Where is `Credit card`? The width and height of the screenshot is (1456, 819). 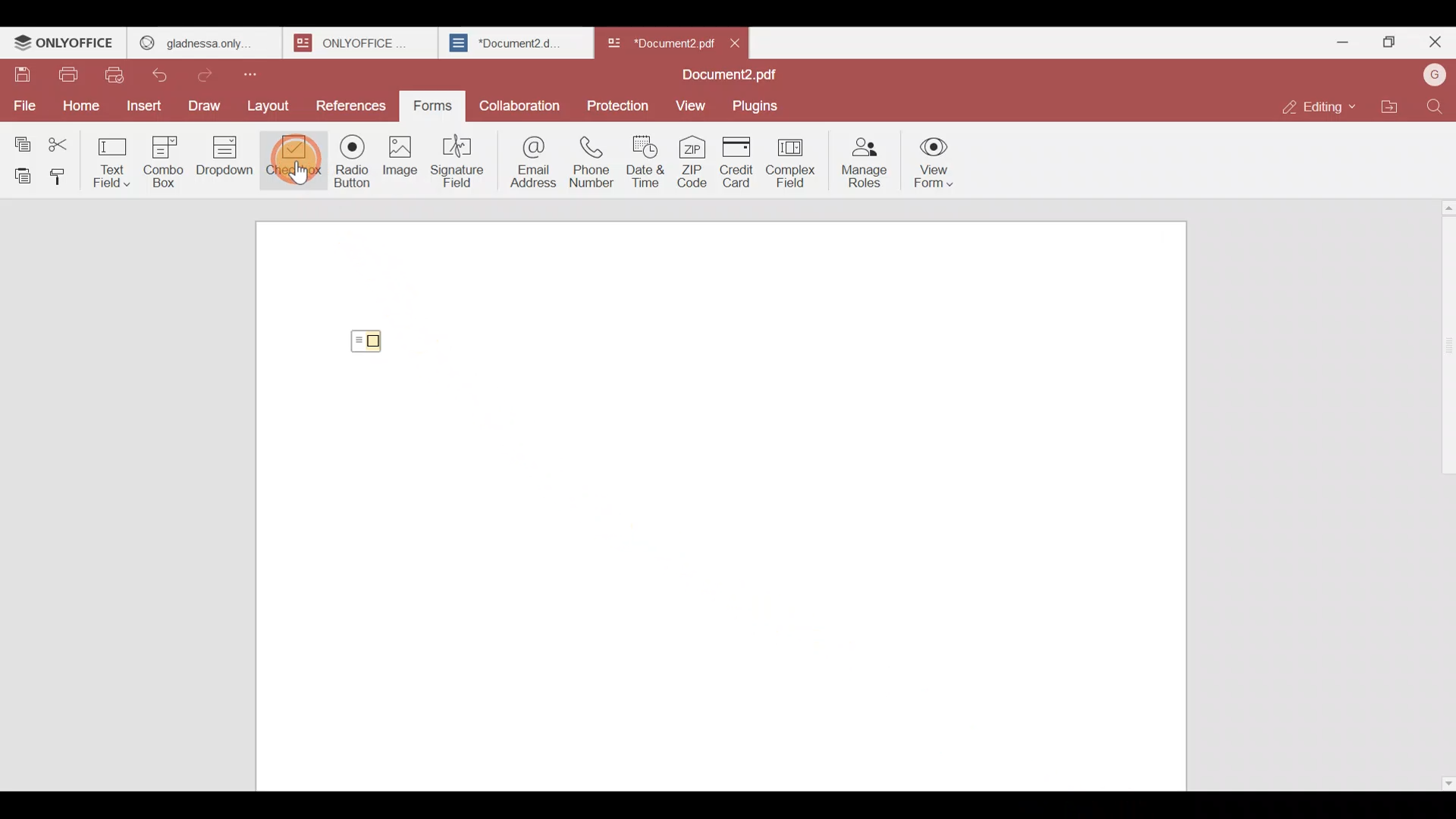
Credit card is located at coordinates (733, 163).